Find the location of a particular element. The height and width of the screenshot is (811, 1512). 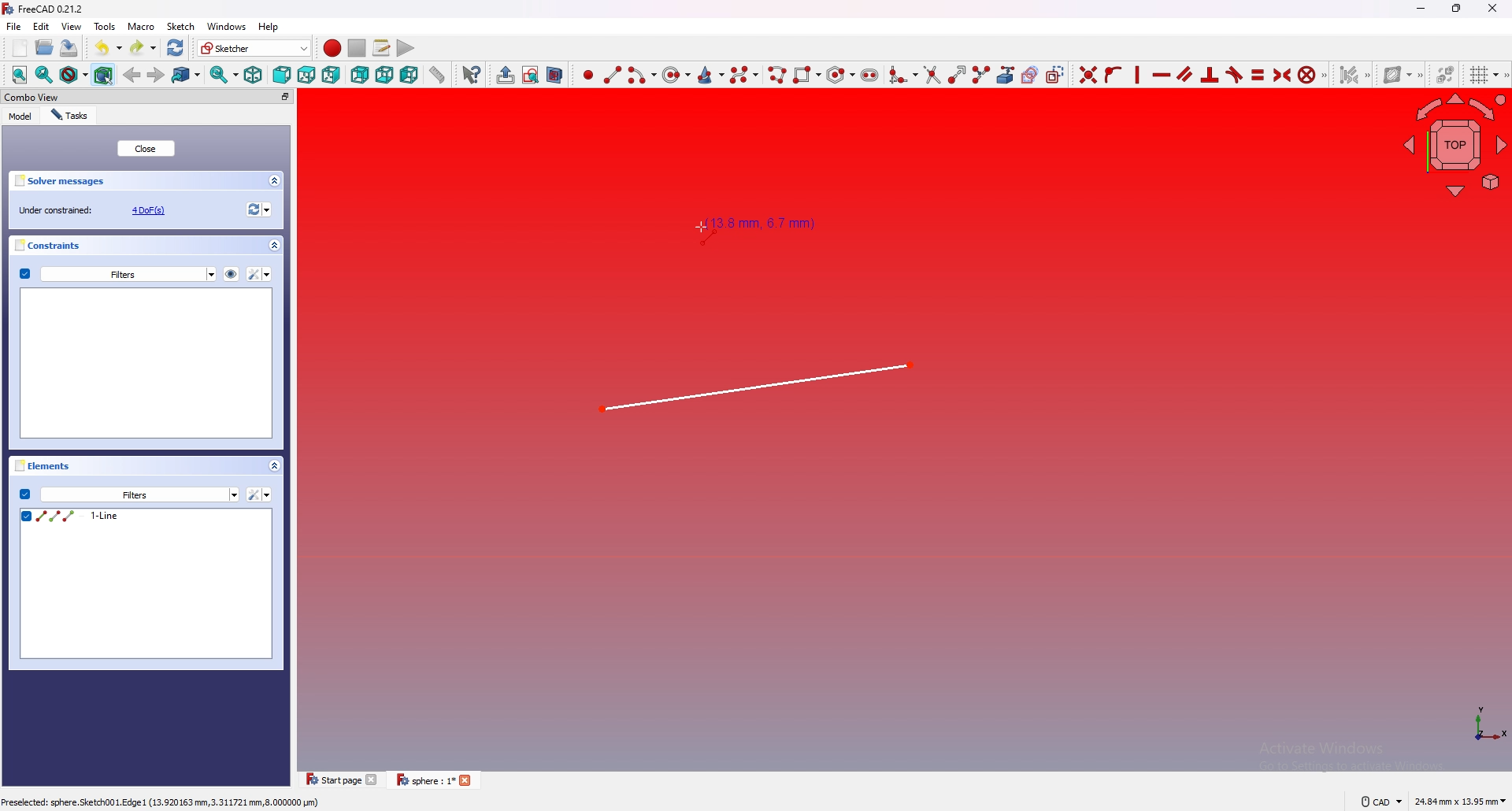

File is located at coordinates (13, 27).